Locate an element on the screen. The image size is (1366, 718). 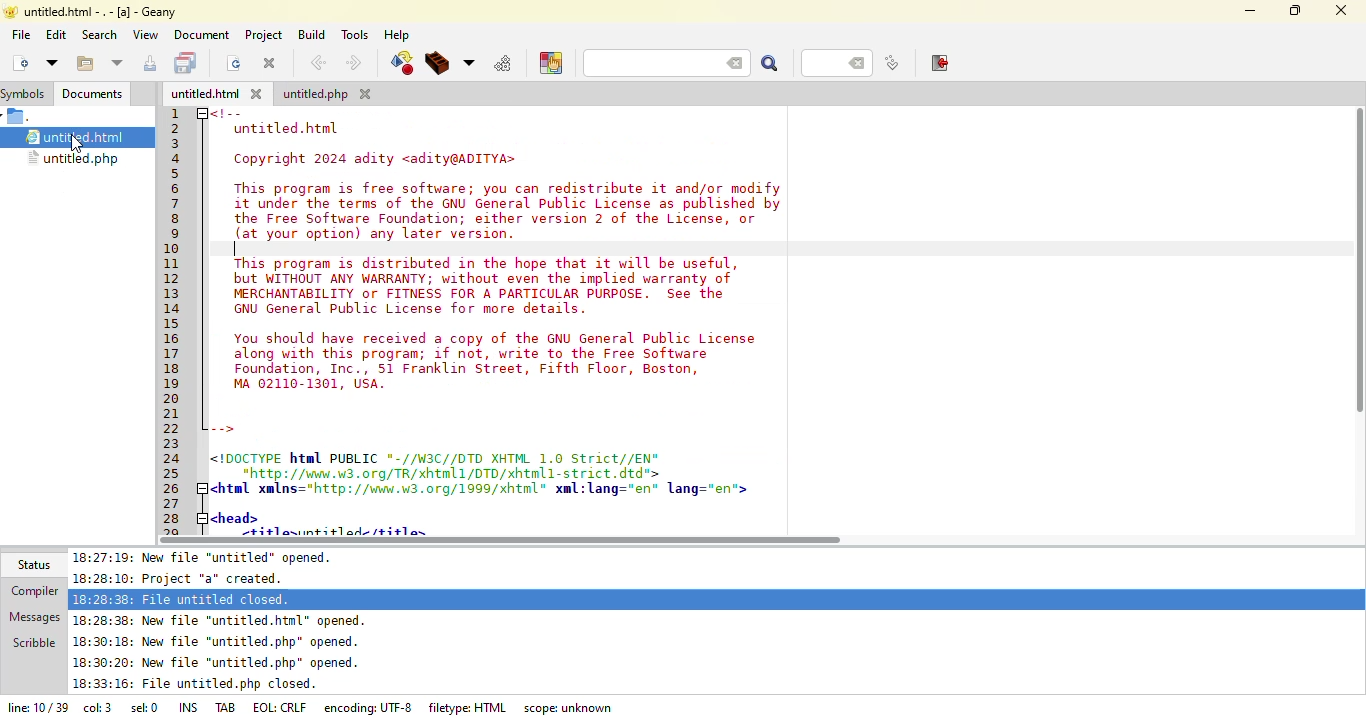
search is located at coordinates (664, 63).